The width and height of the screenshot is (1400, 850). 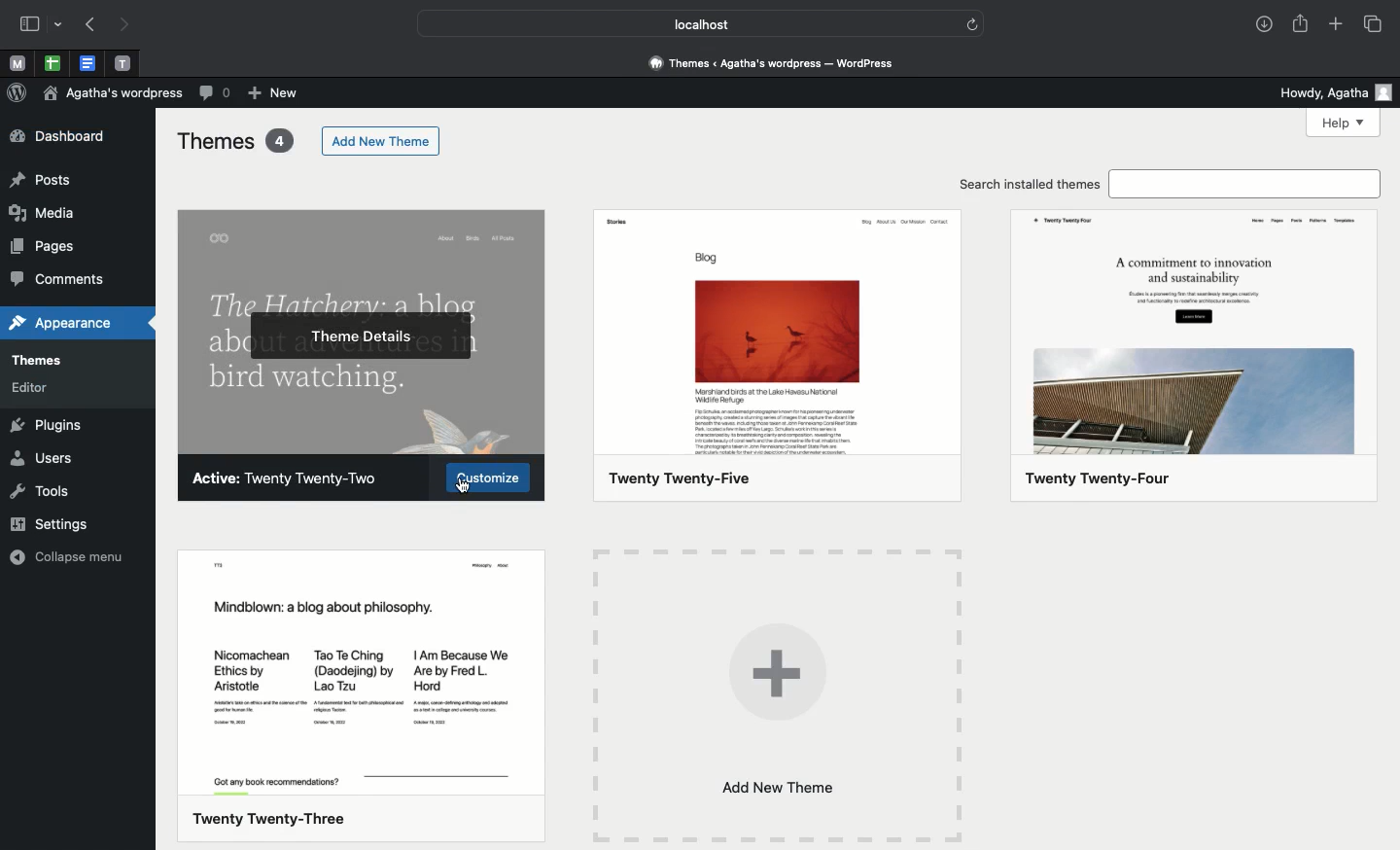 What do you see at coordinates (235, 140) in the screenshot?
I see `Themes` at bounding box center [235, 140].